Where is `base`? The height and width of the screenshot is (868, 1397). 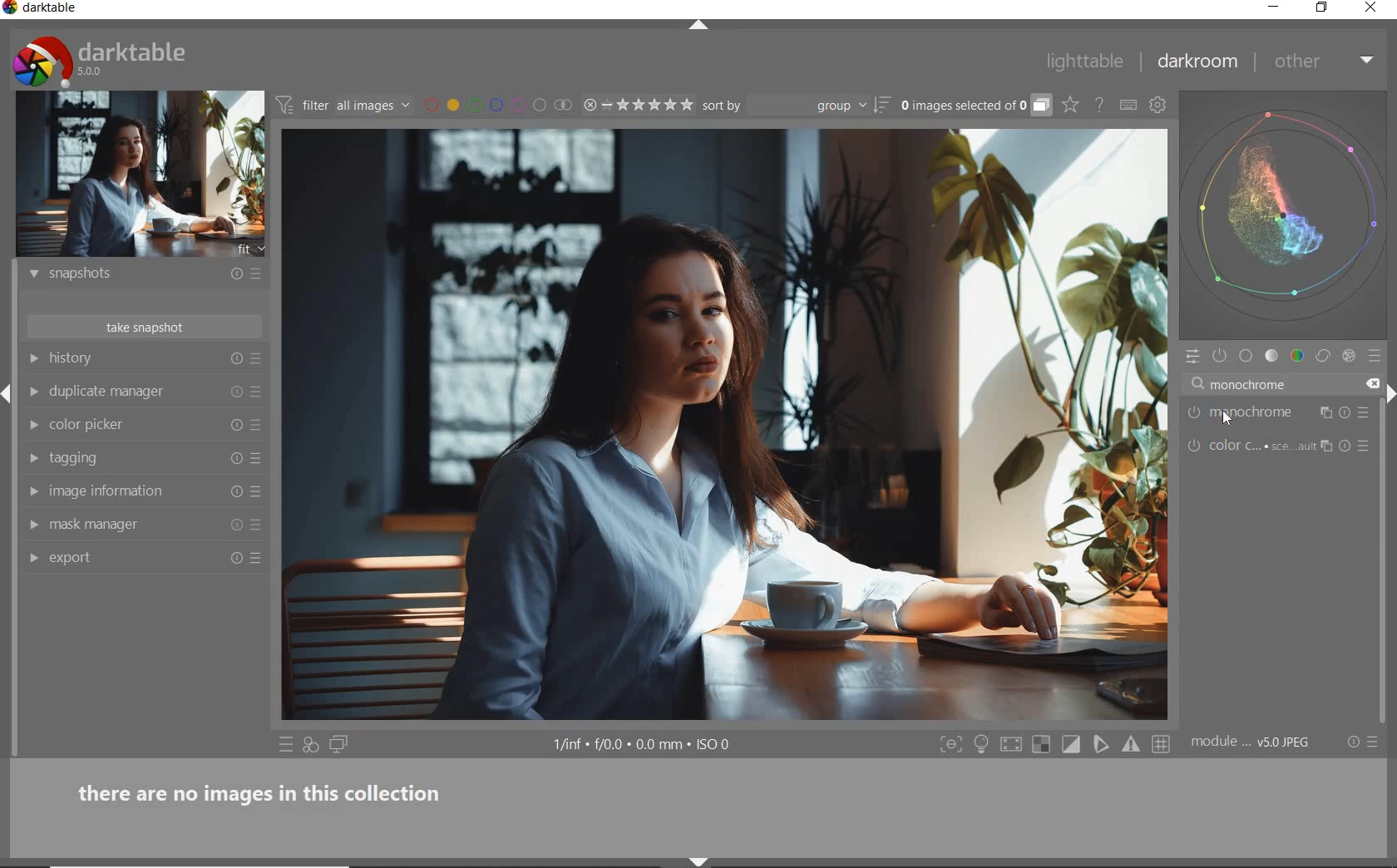 base is located at coordinates (1246, 358).